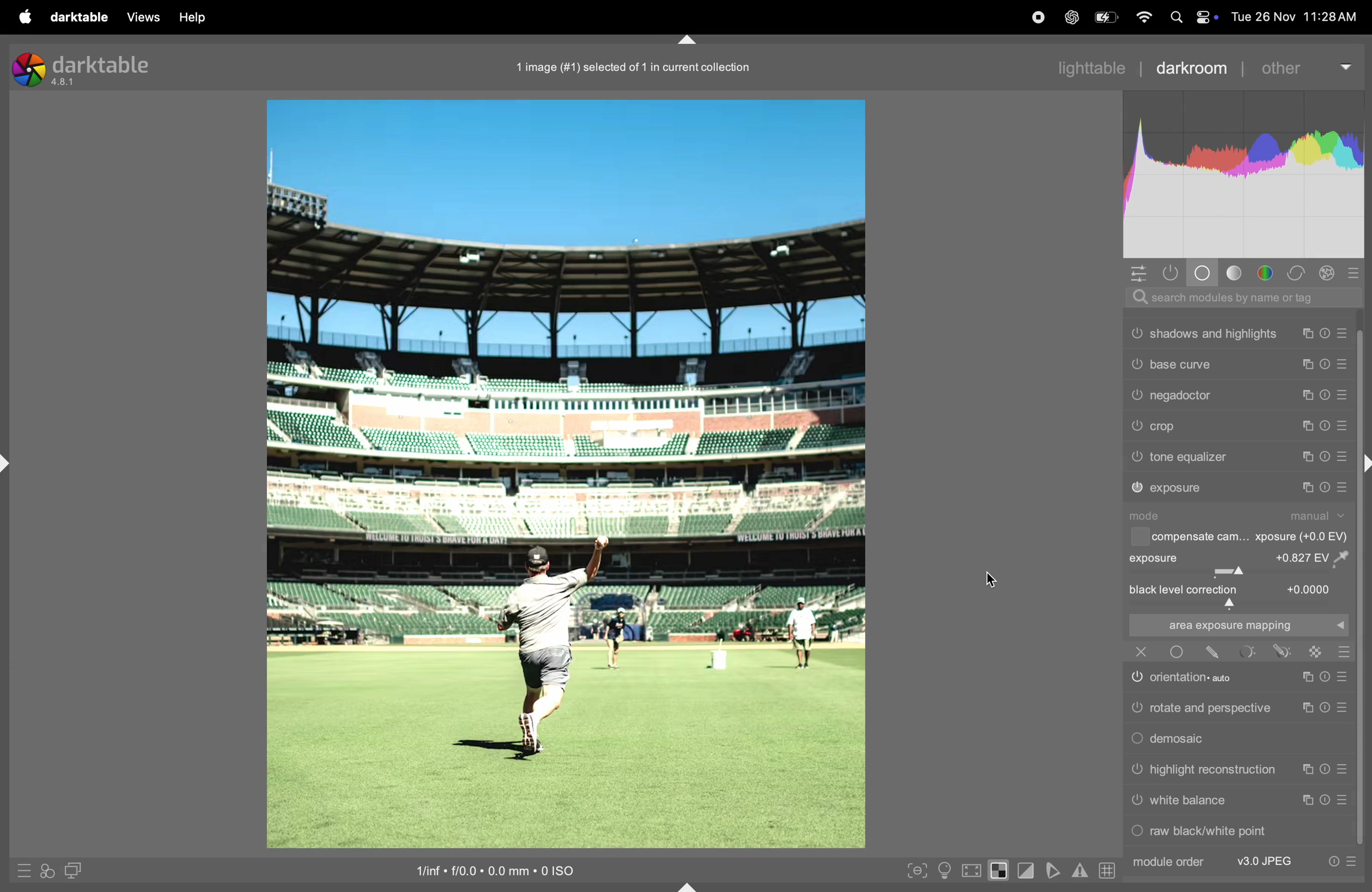  What do you see at coordinates (1108, 16) in the screenshot?
I see `battery` at bounding box center [1108, 16].